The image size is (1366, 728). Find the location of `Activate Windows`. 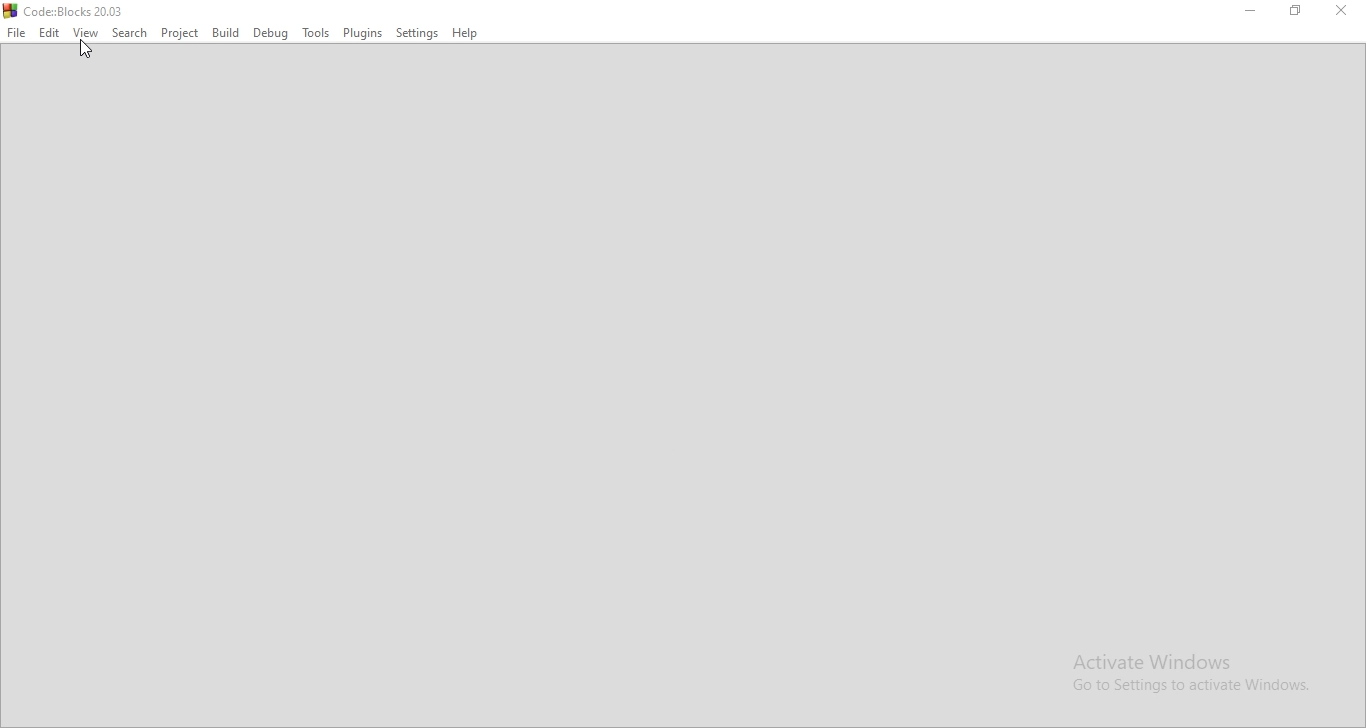

Activate Windows is located at coordinates (1193, 674).